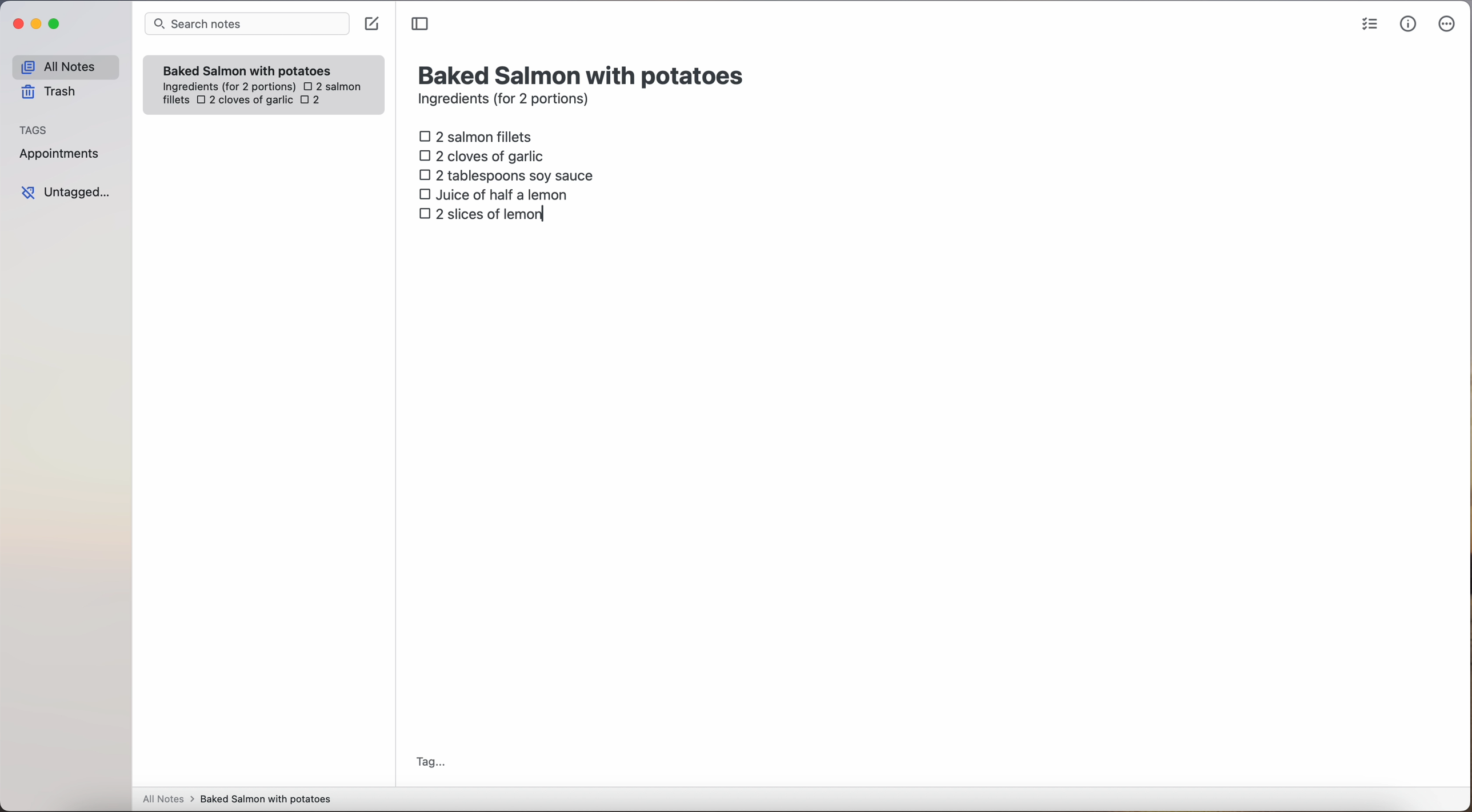  I want to click on 2 salmon, so click(331, 85).